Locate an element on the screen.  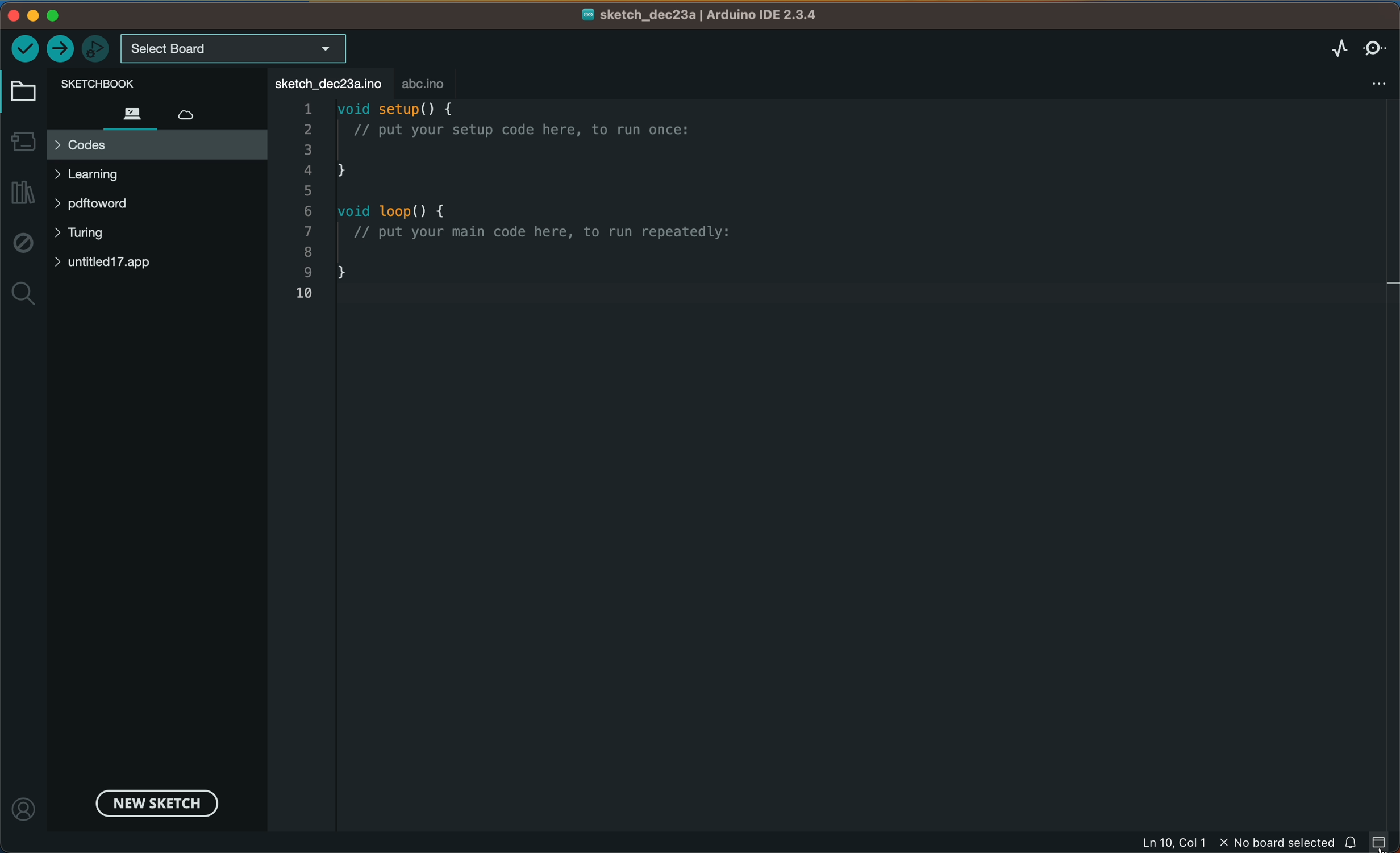
board manager is located at coordinates (21, 141).